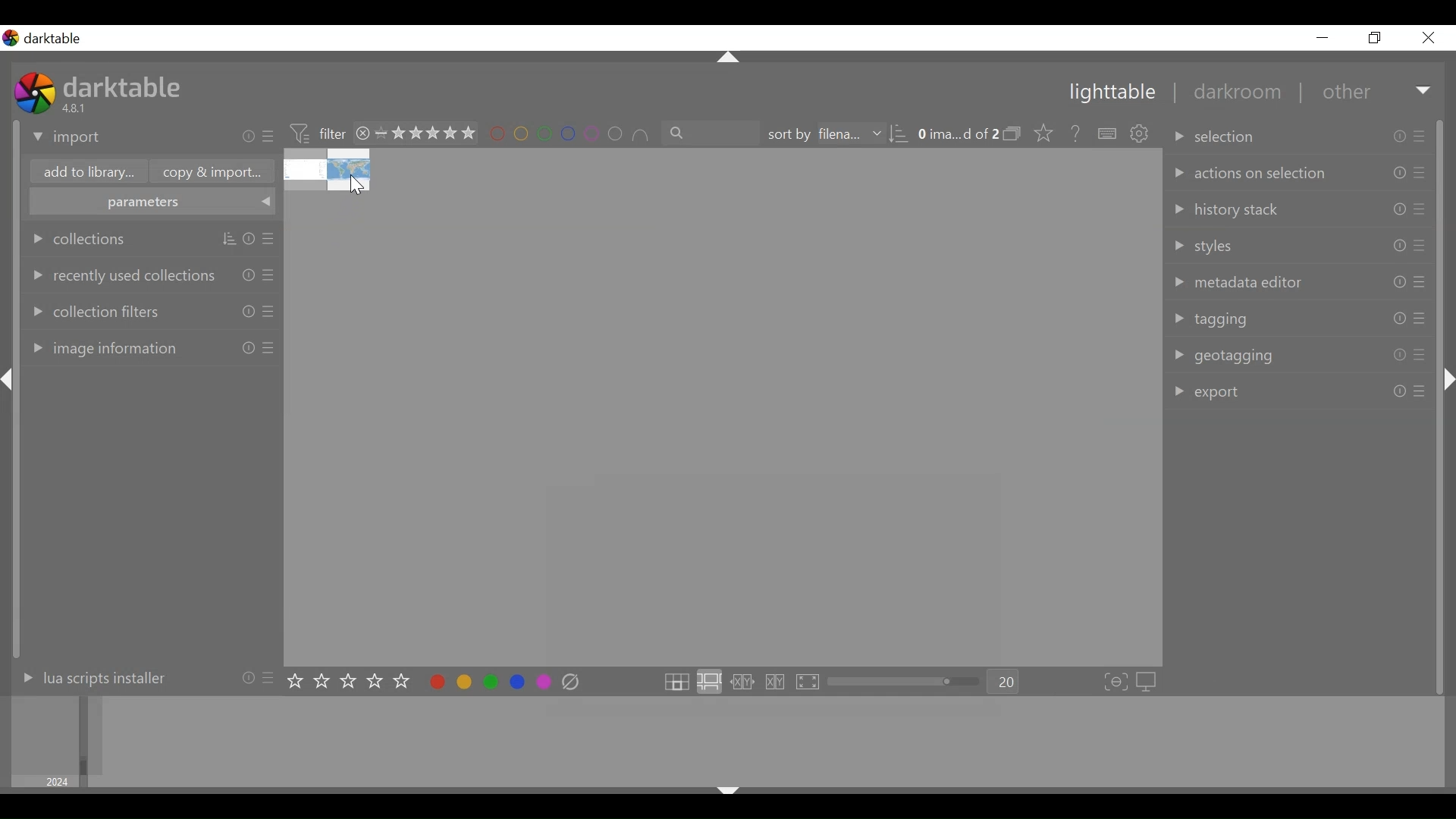  What do you see at coordinates (1077, 134) in the screenshot?
I see `help` at bounding box center [1077, 134].